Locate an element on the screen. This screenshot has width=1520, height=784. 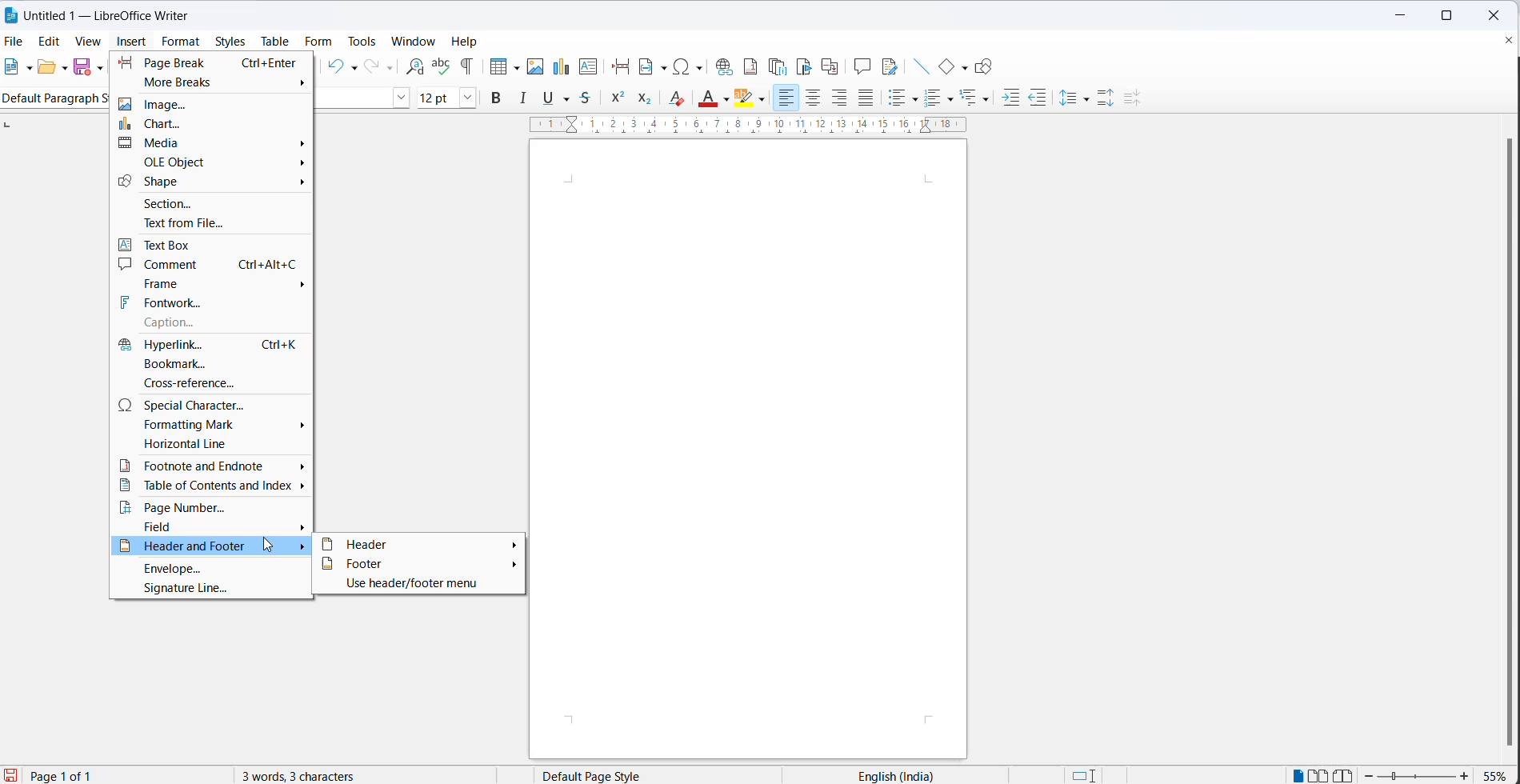
form is located at coordinates (318, 42).